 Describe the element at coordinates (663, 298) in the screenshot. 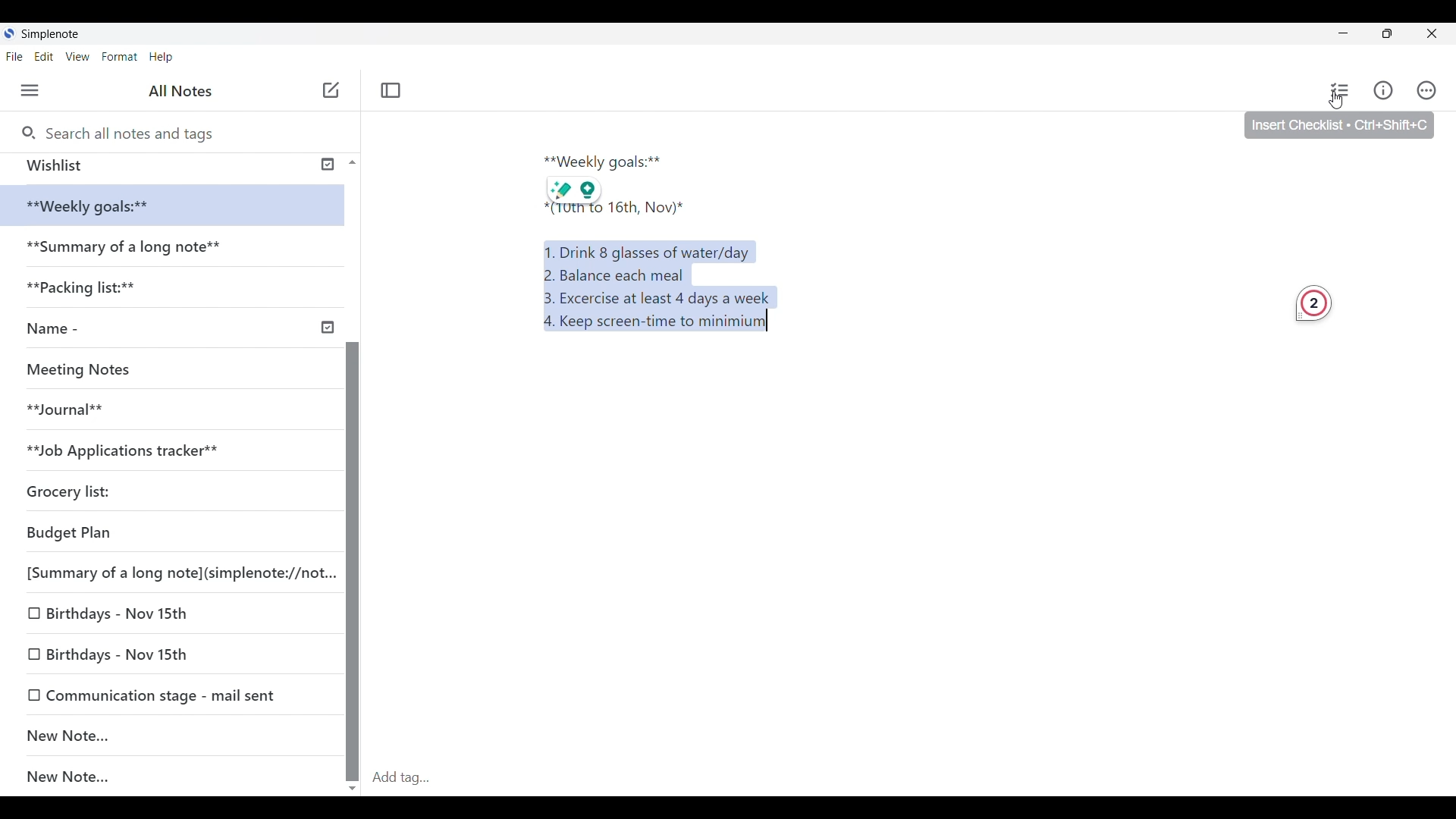

I see `3. Excercise at least 4 days a week` at that location.